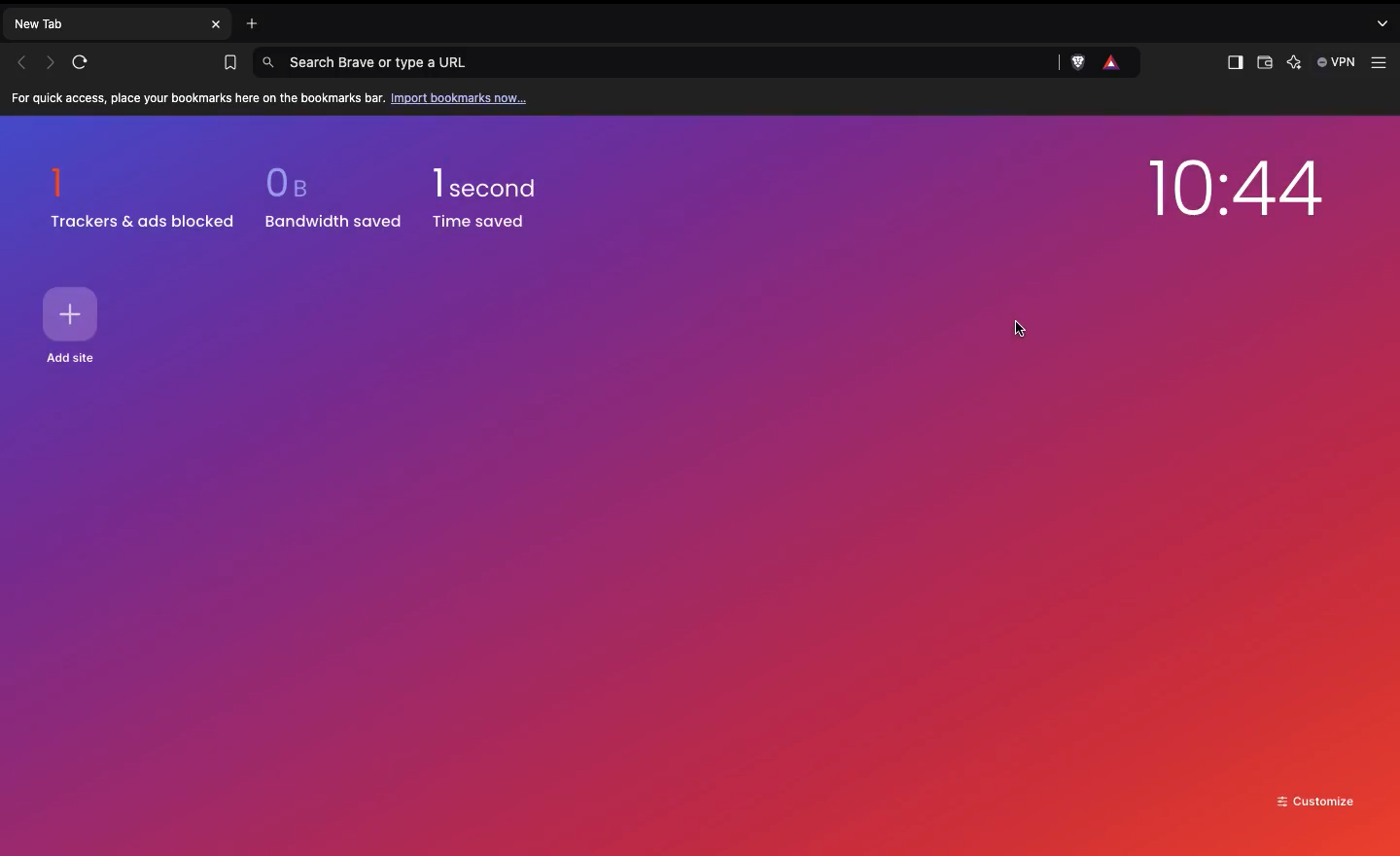  Describe the element at coordinates (21, 62) in the screenshot. I see `Previous page` at that location.